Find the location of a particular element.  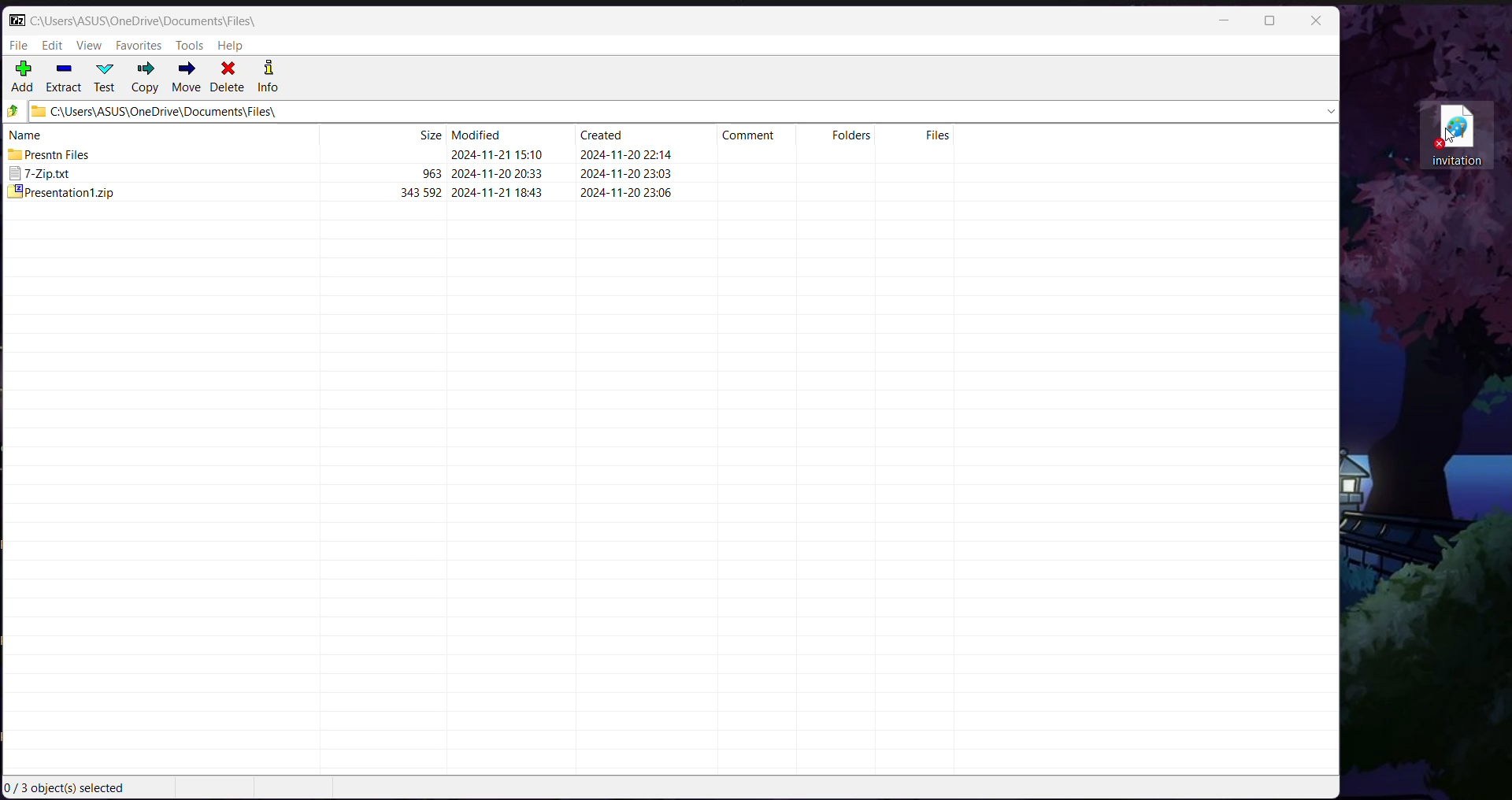

Extract is located at coordinates (64, 78).